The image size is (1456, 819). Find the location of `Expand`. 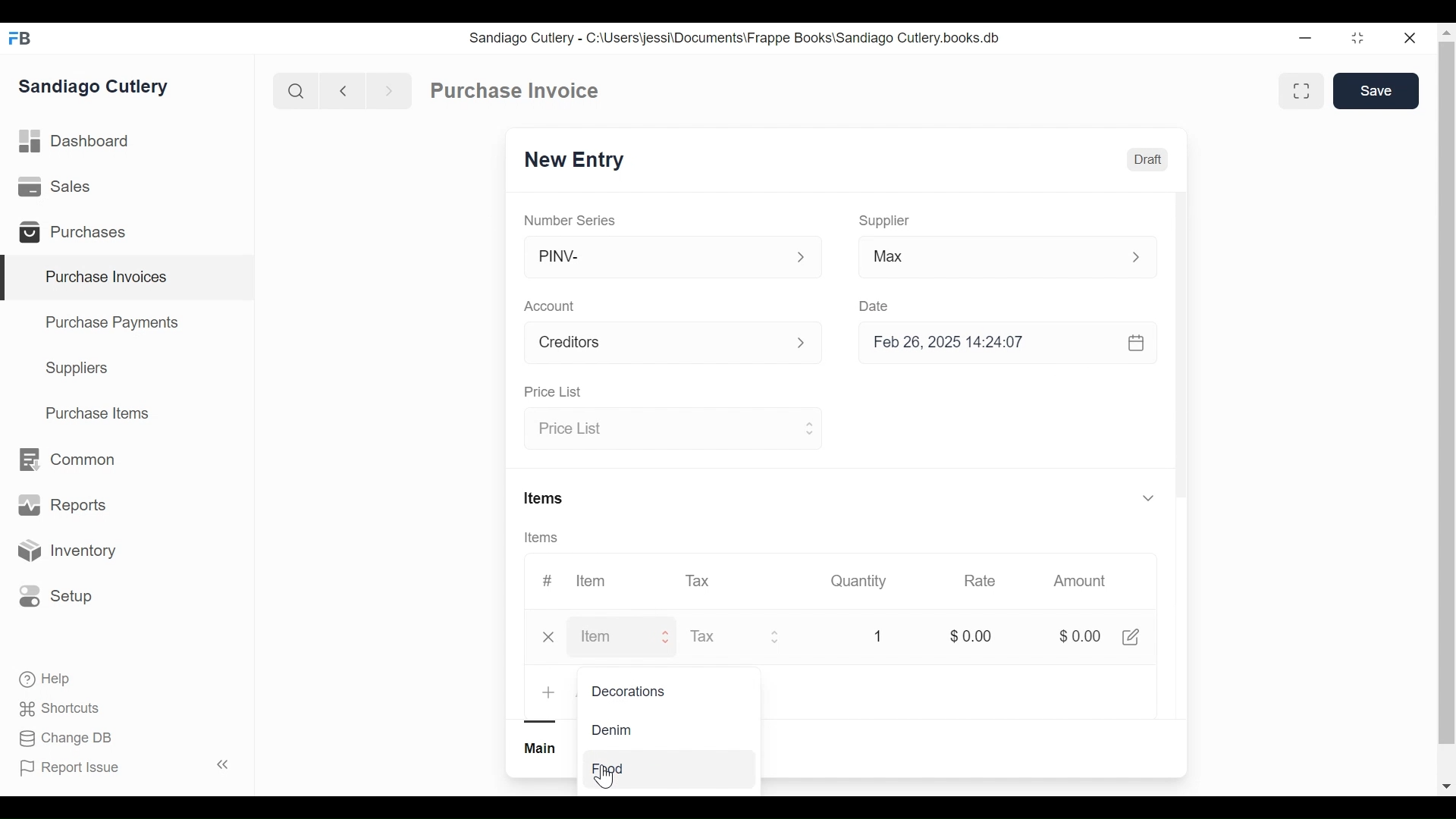

Expand is located at coordinates (802, 256).